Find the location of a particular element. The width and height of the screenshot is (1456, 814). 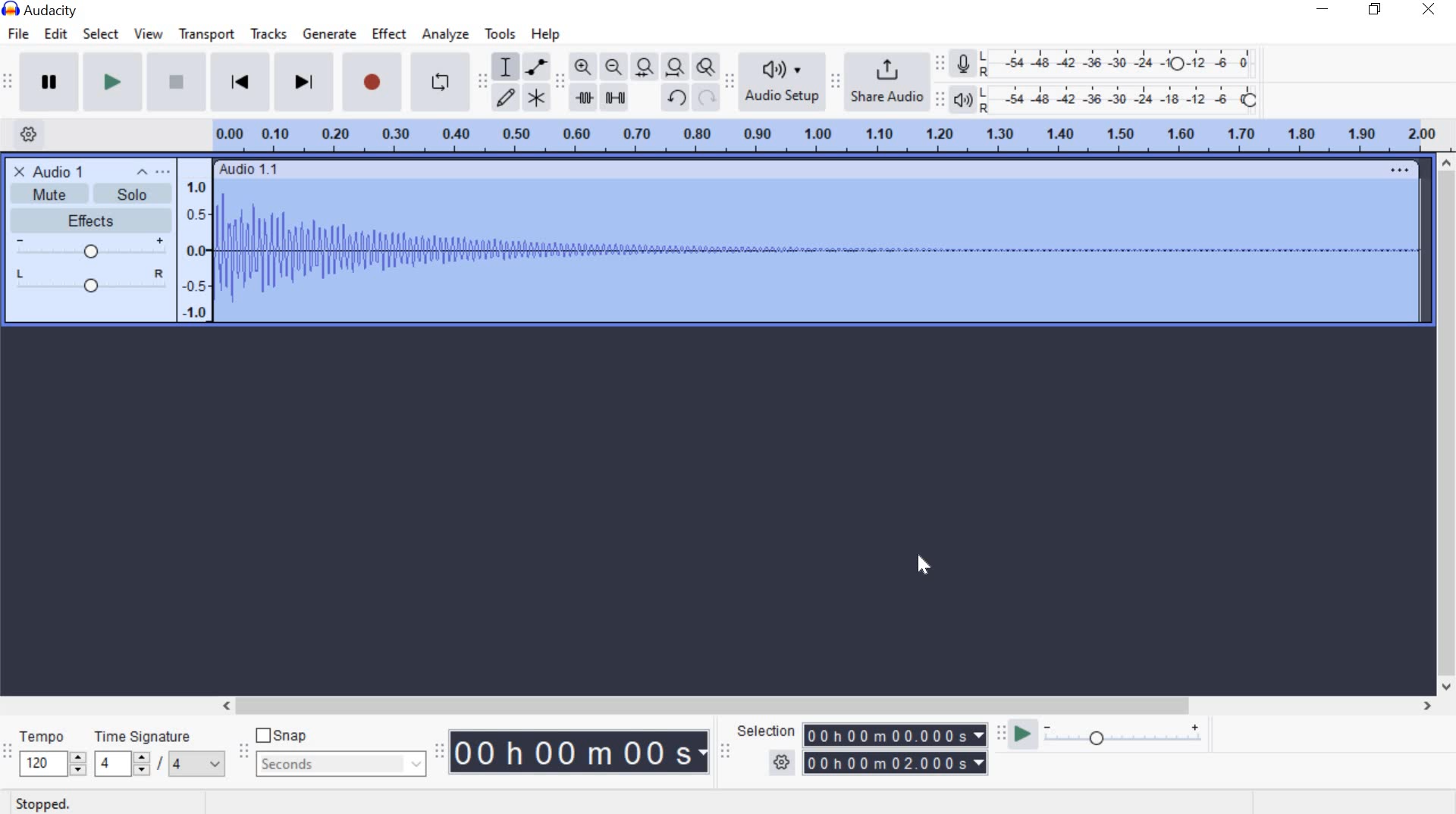

tracks is located at coordinates (268, 34).